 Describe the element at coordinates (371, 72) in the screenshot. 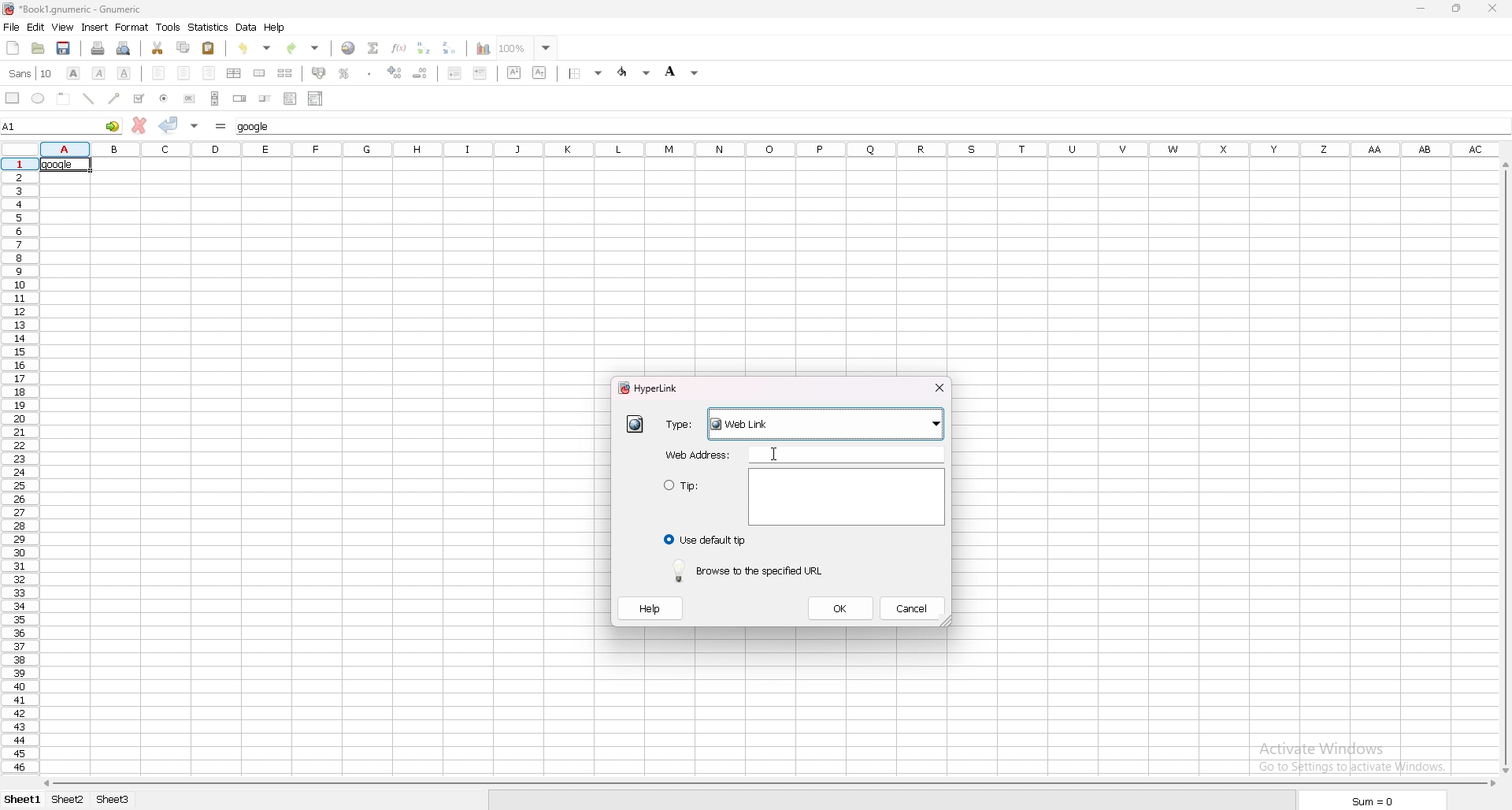

I see `thousands separator` at that location.